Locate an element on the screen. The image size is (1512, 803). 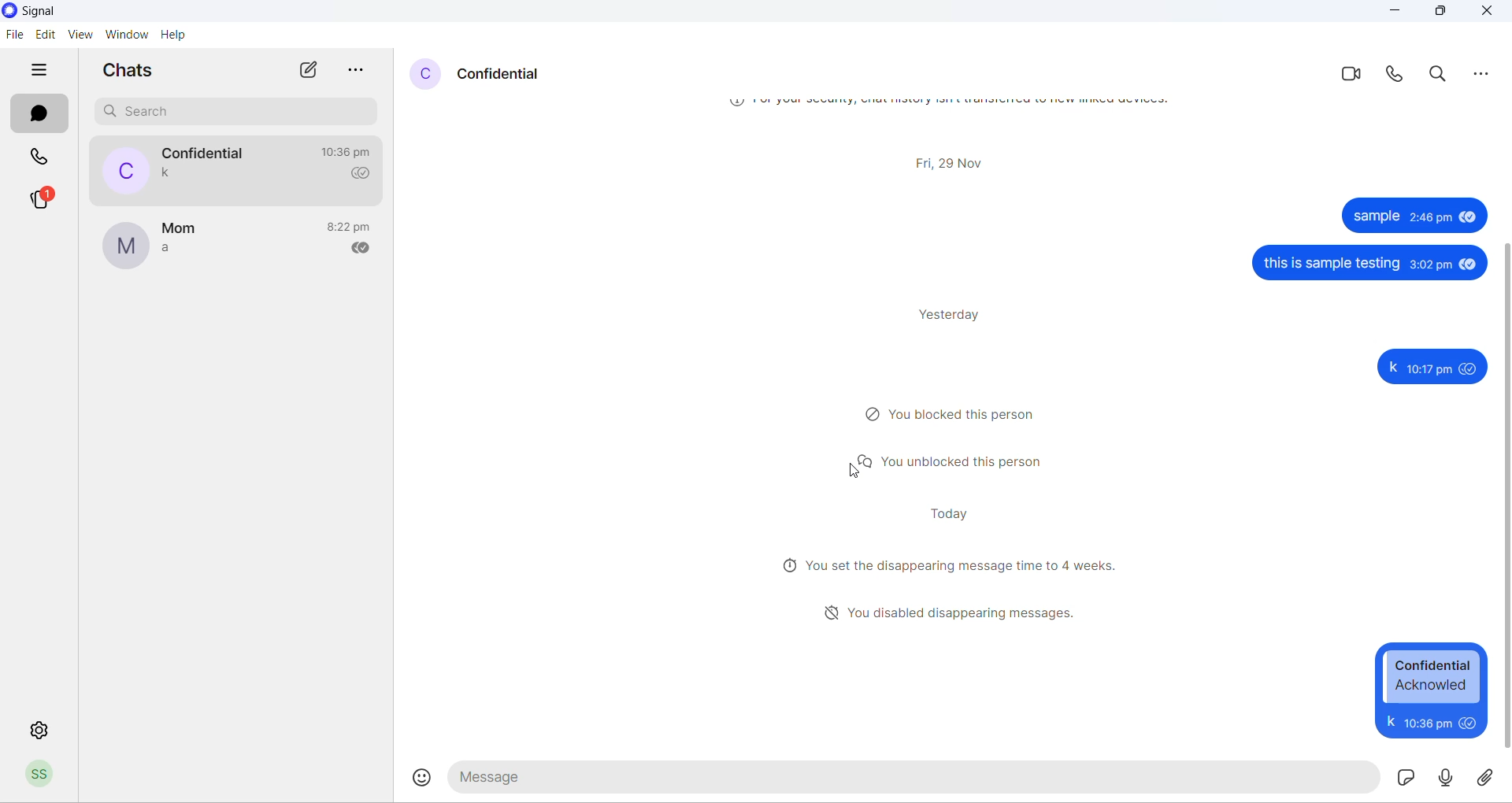
emojis is located at coordinates (420, 780).